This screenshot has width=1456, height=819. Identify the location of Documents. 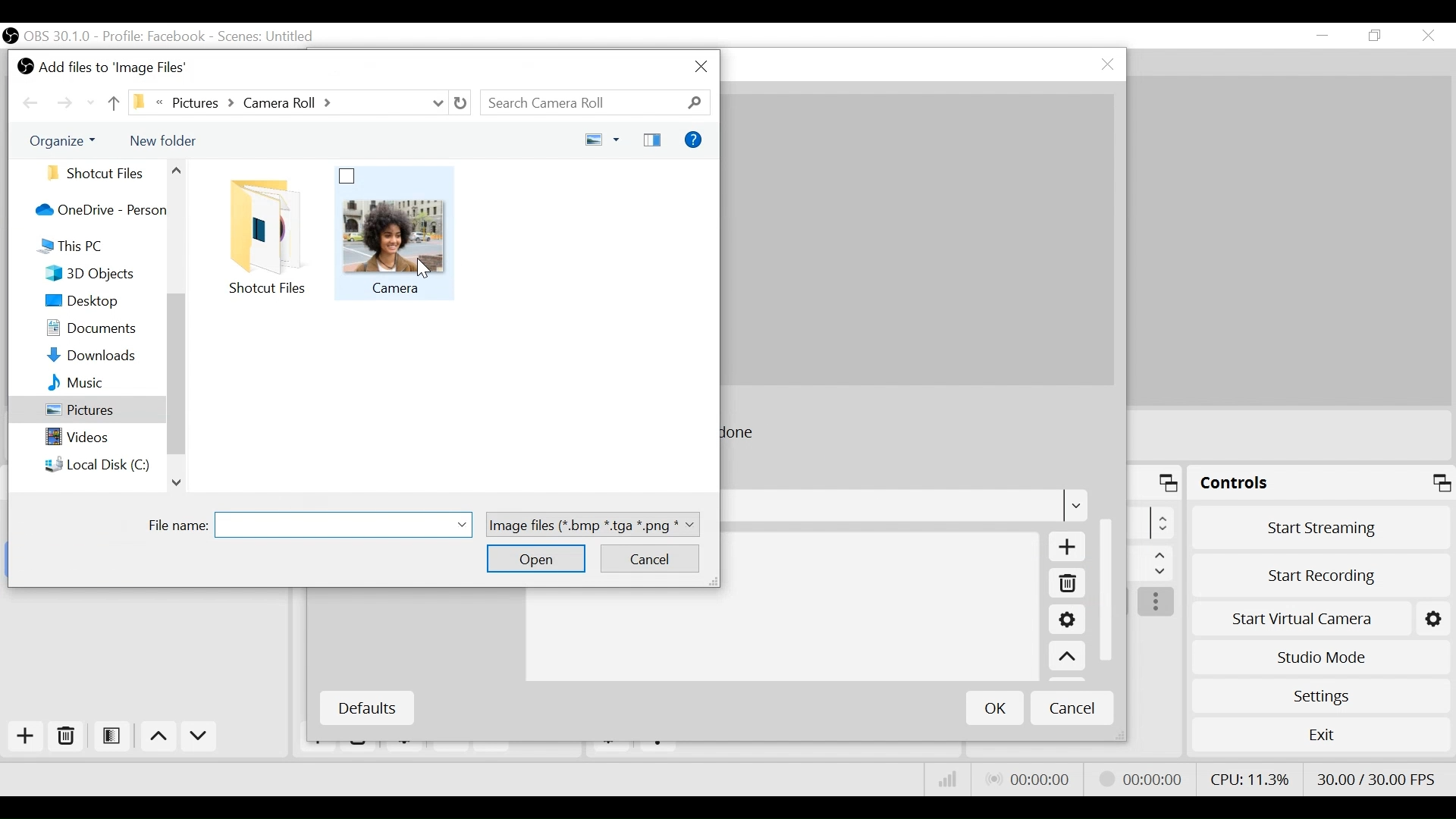
(103, 331).